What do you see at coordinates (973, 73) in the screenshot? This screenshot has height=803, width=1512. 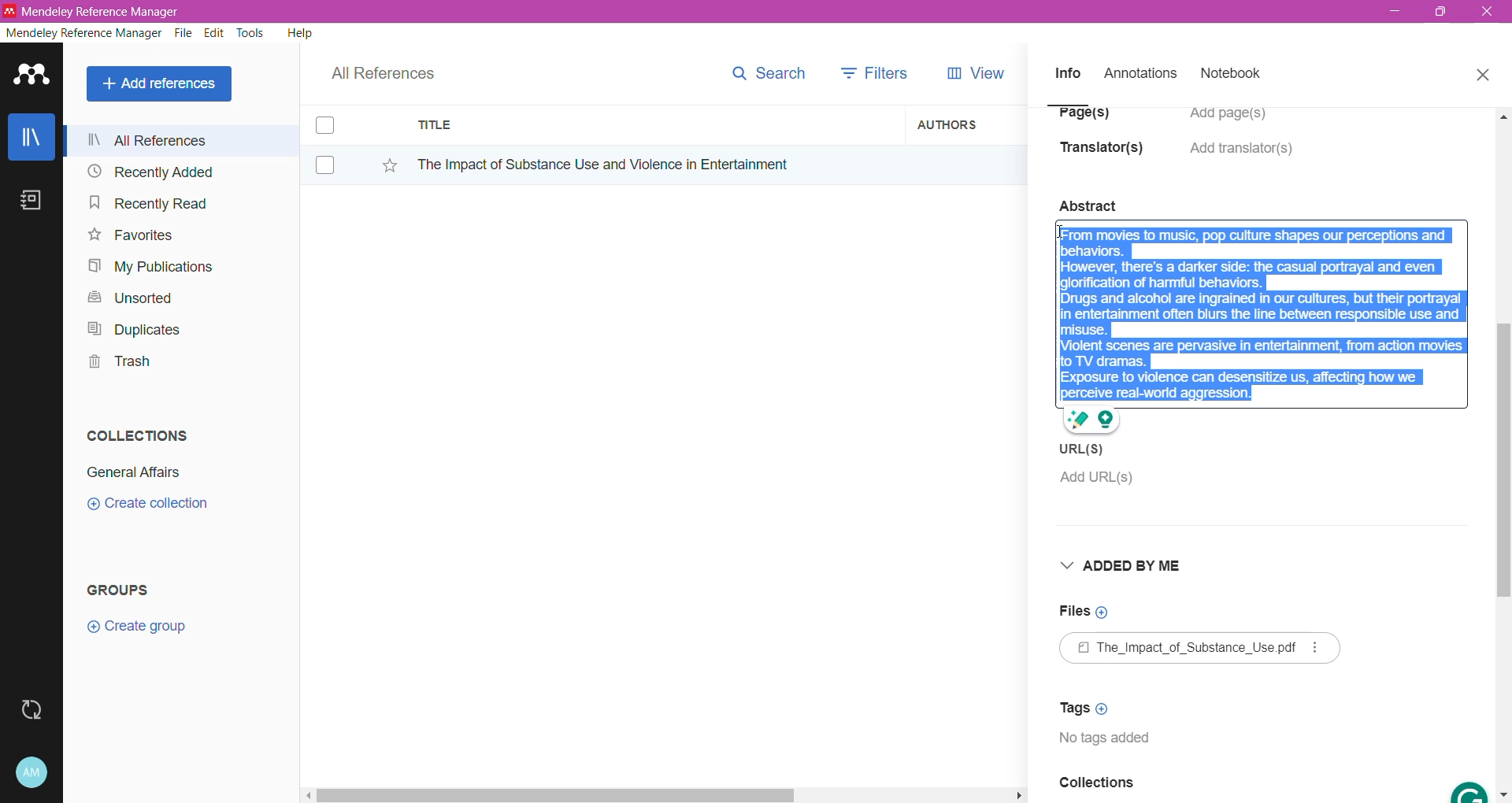 I see `View` at bounding box center [973, 73].